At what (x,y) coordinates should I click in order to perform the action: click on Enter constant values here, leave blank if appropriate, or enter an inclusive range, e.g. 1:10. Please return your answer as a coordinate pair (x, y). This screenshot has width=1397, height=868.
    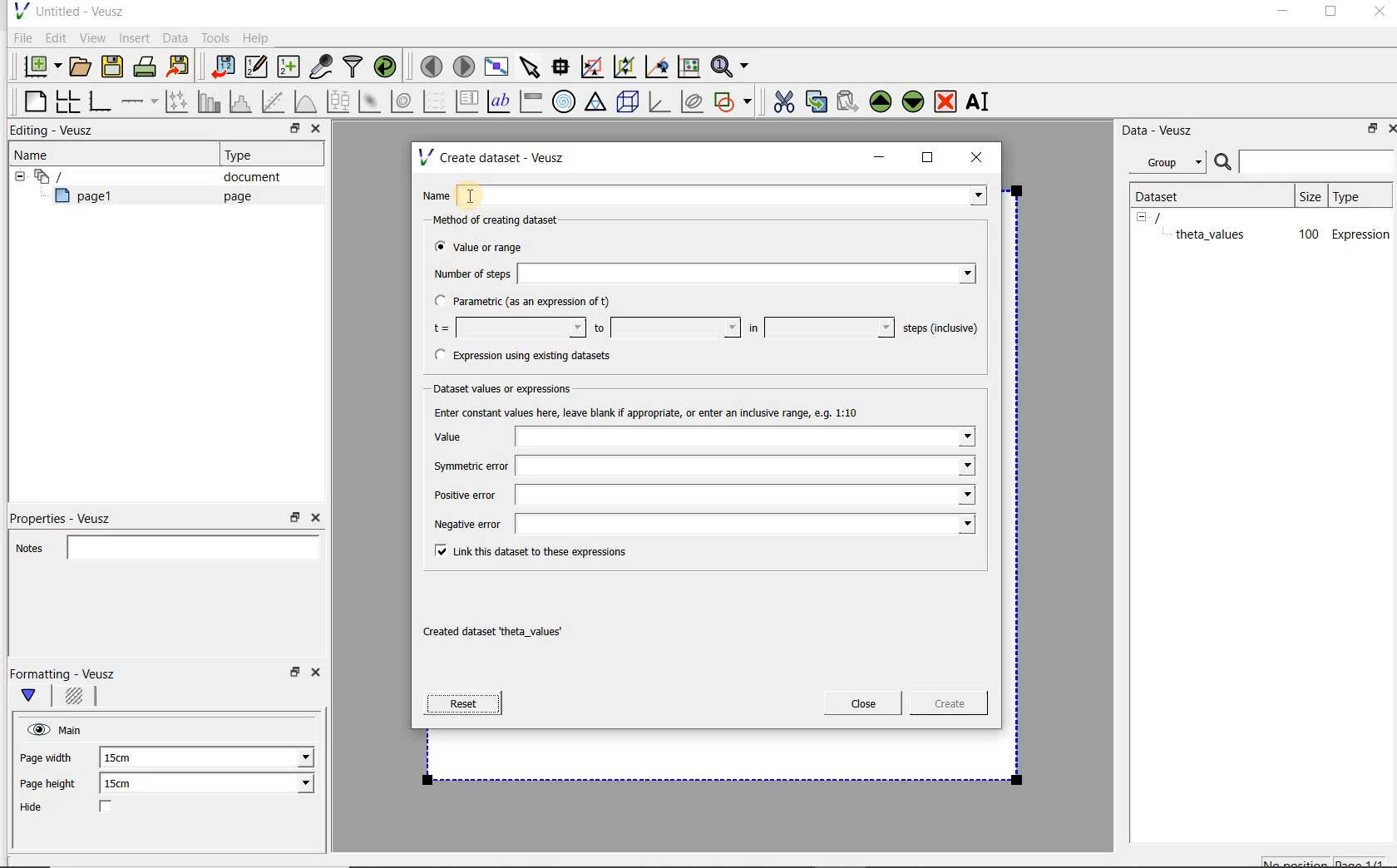
    Looking at the image, I should click on (662, 412).